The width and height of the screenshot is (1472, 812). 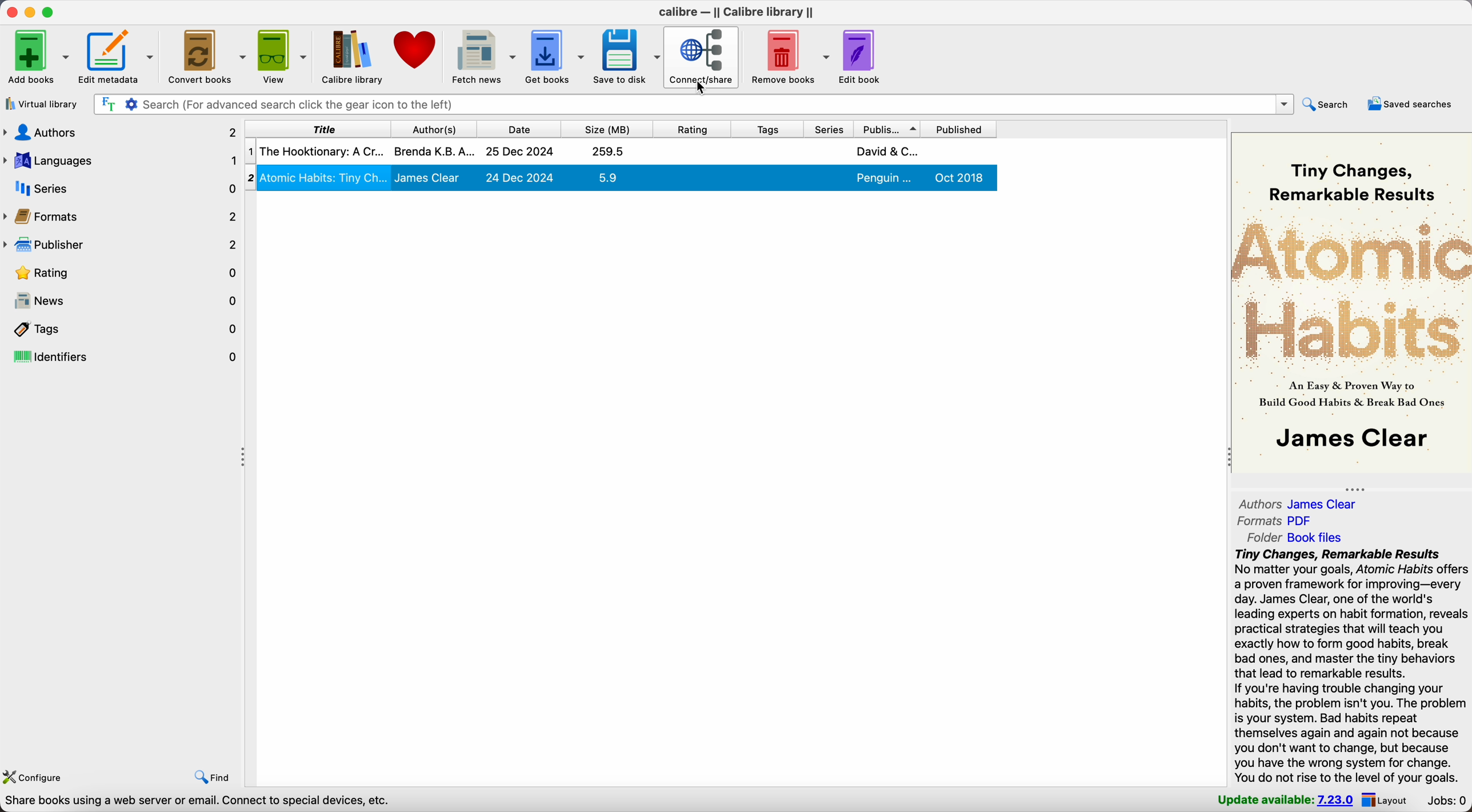 I want to click on 2| Atomic Habits: Tiny Ch..., so click(x=325, y=177).